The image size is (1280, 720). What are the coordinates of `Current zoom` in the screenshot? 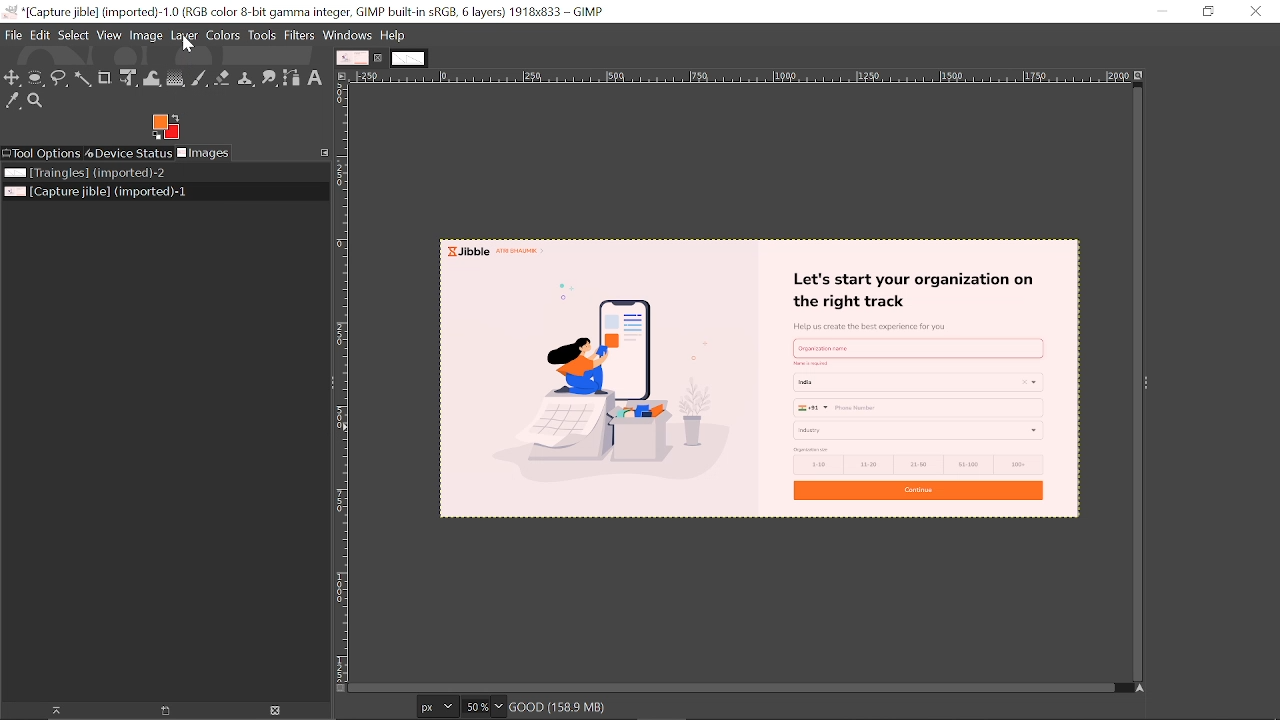 It's located at (478, 706).